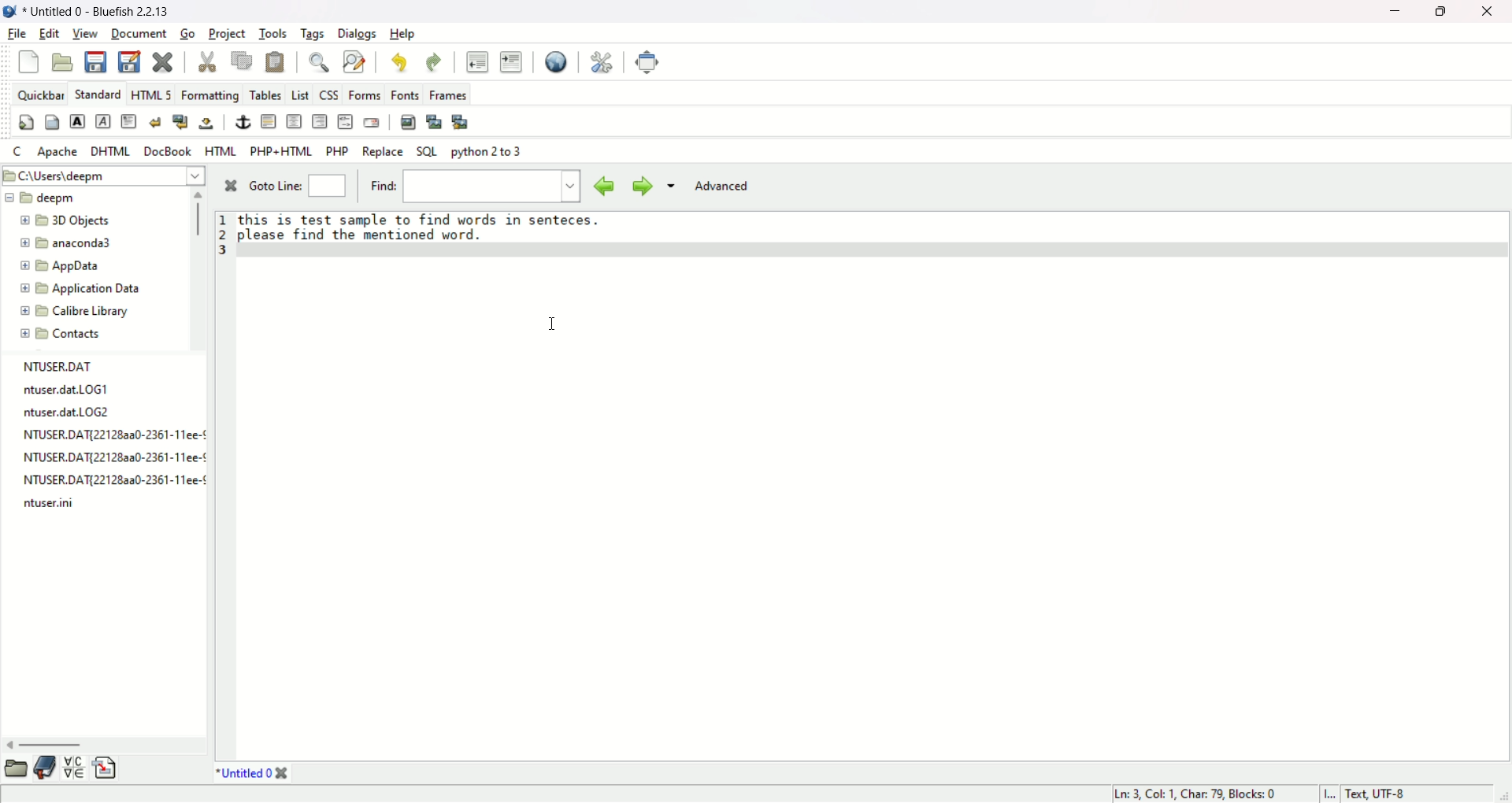 The image size is (1512, 803). What do you see at coordinates (336, 151) in the screenshot?
I see `PHP` at bounding box center [336, 151].